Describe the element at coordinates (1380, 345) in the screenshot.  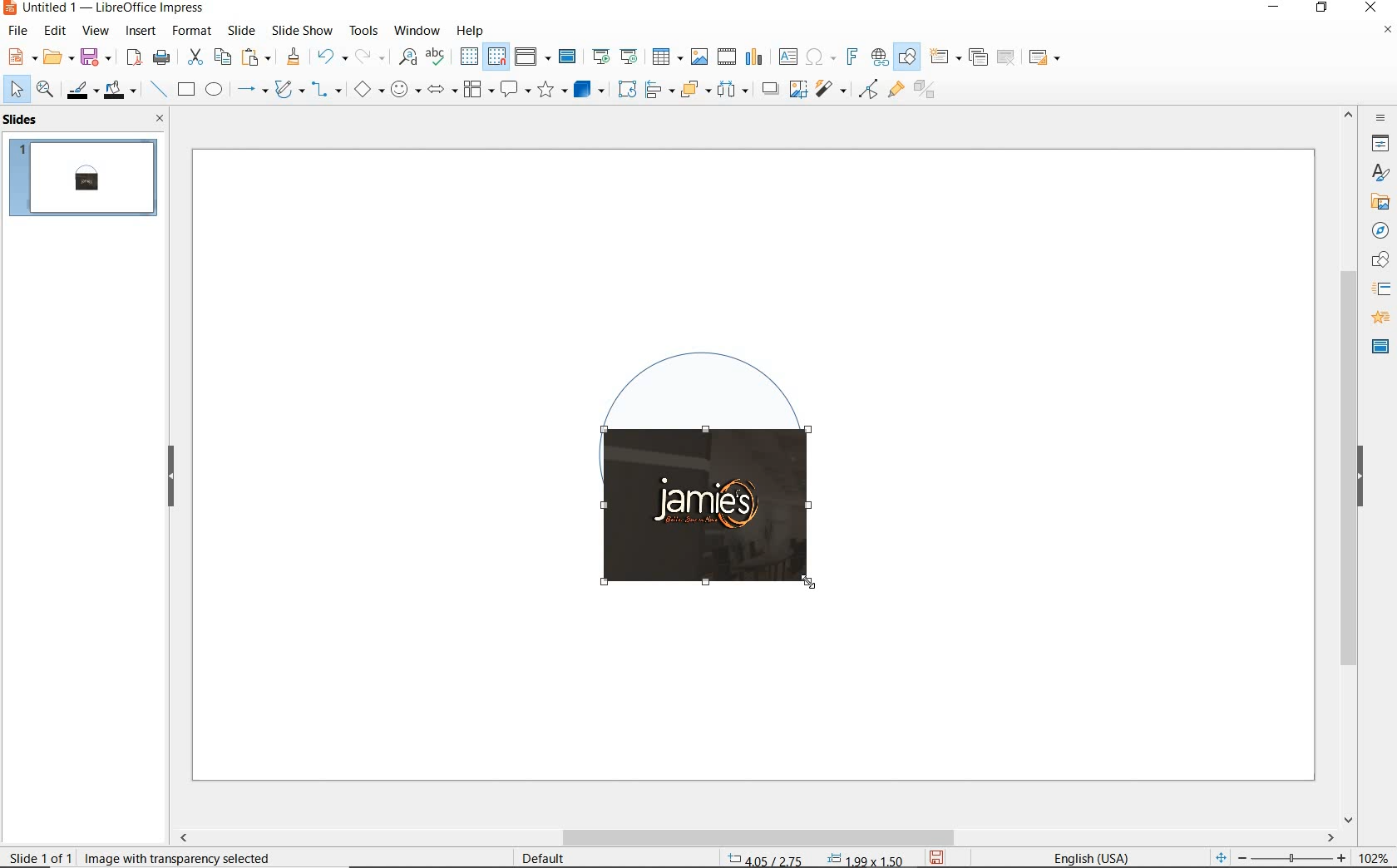
I see `master slide` at that location.